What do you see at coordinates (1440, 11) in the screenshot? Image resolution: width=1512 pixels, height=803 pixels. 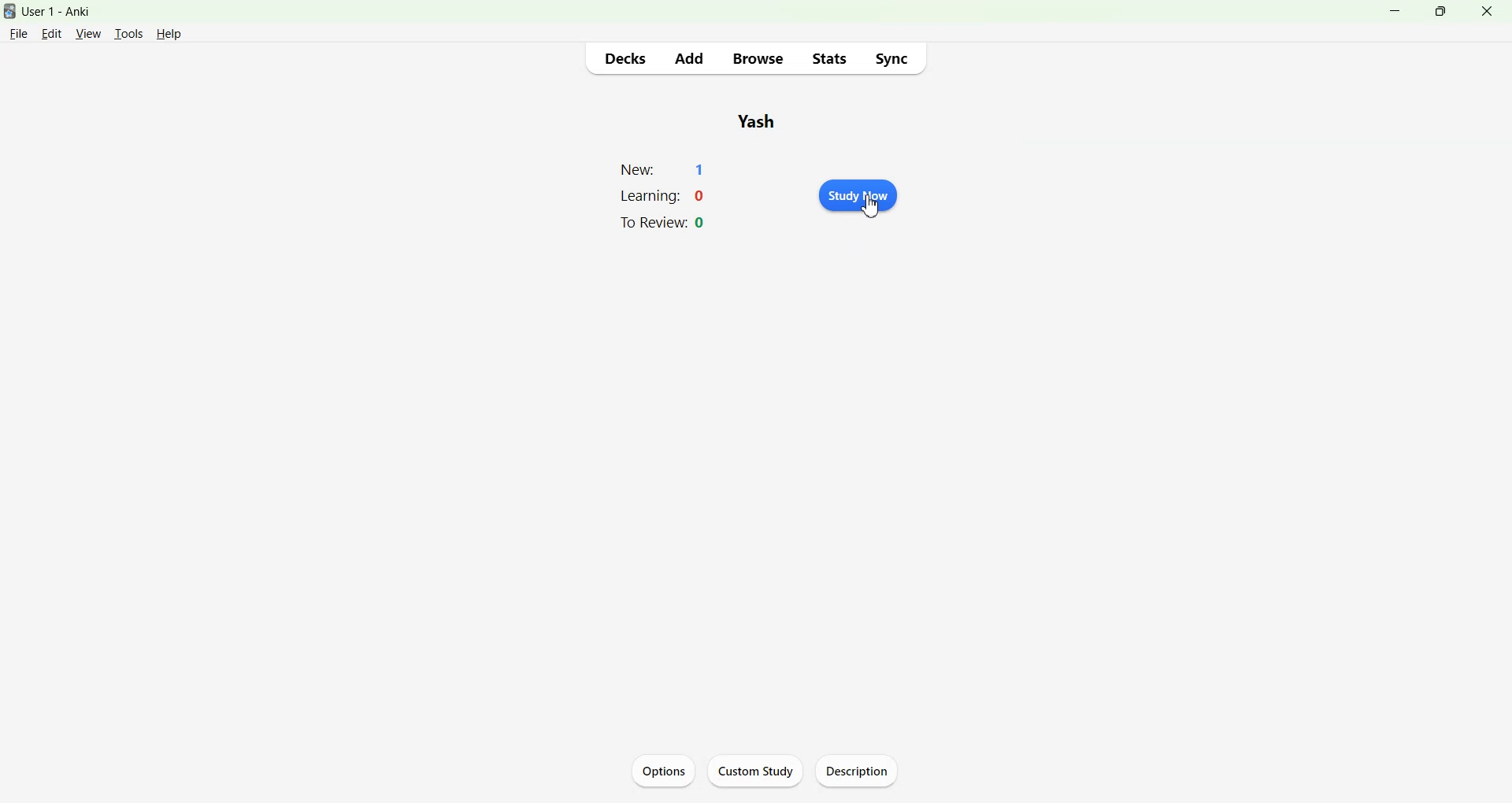 I see `Maximize` at bounding box center [1440, 11].